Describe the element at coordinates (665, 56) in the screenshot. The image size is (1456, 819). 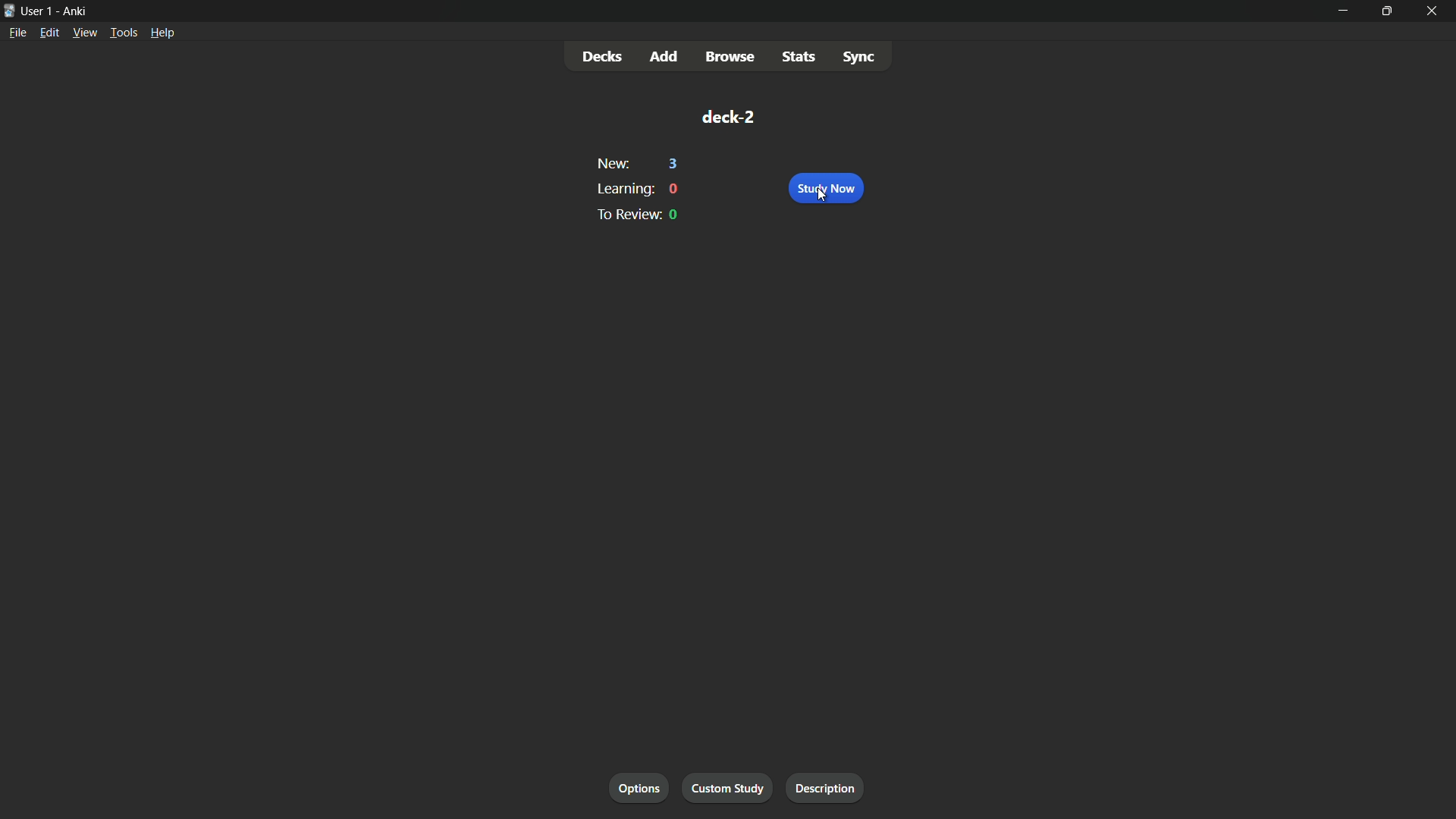
I see `add` at that location.